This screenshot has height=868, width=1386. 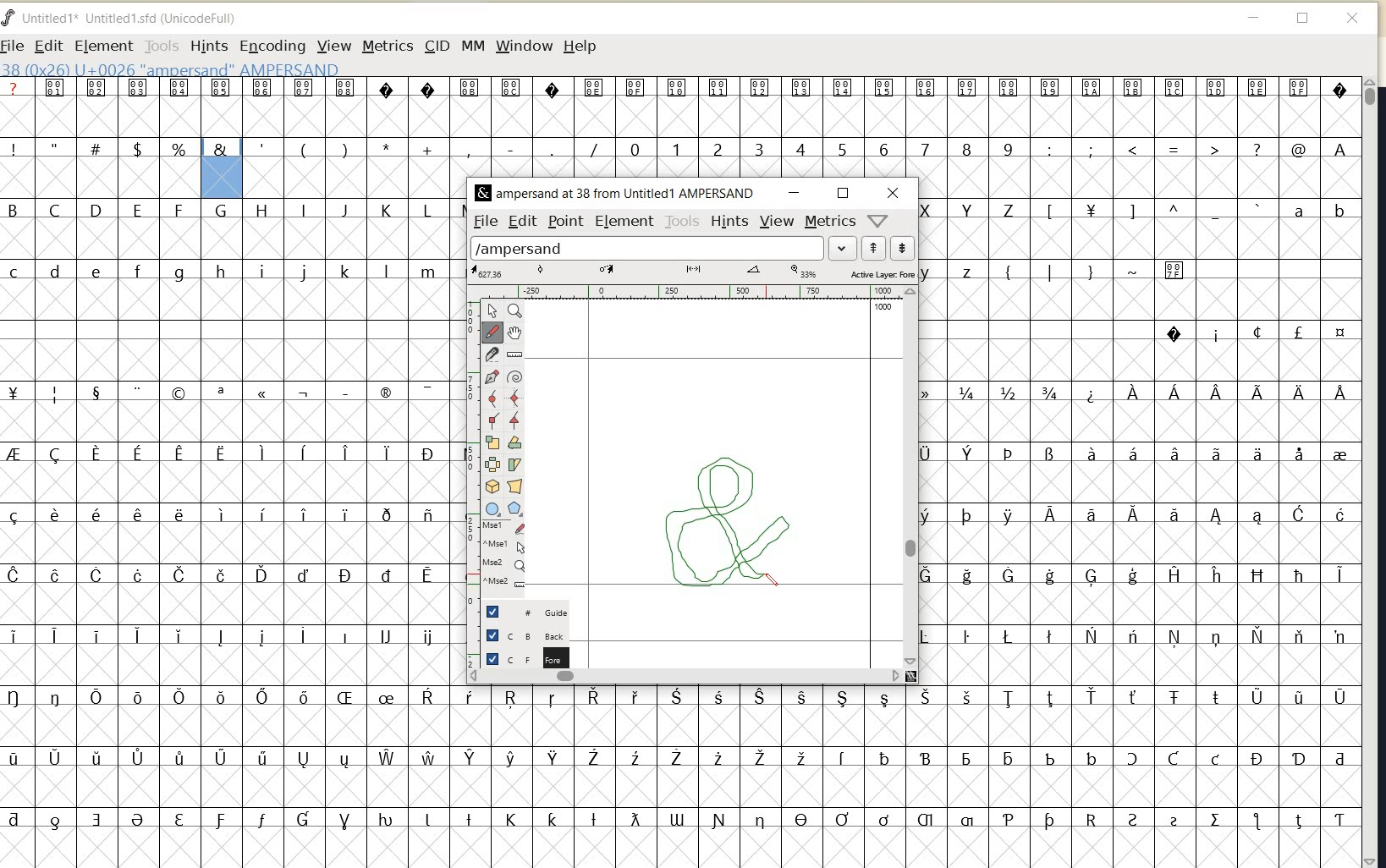 I want to click on glyph characters, so click(x=905, y=768).